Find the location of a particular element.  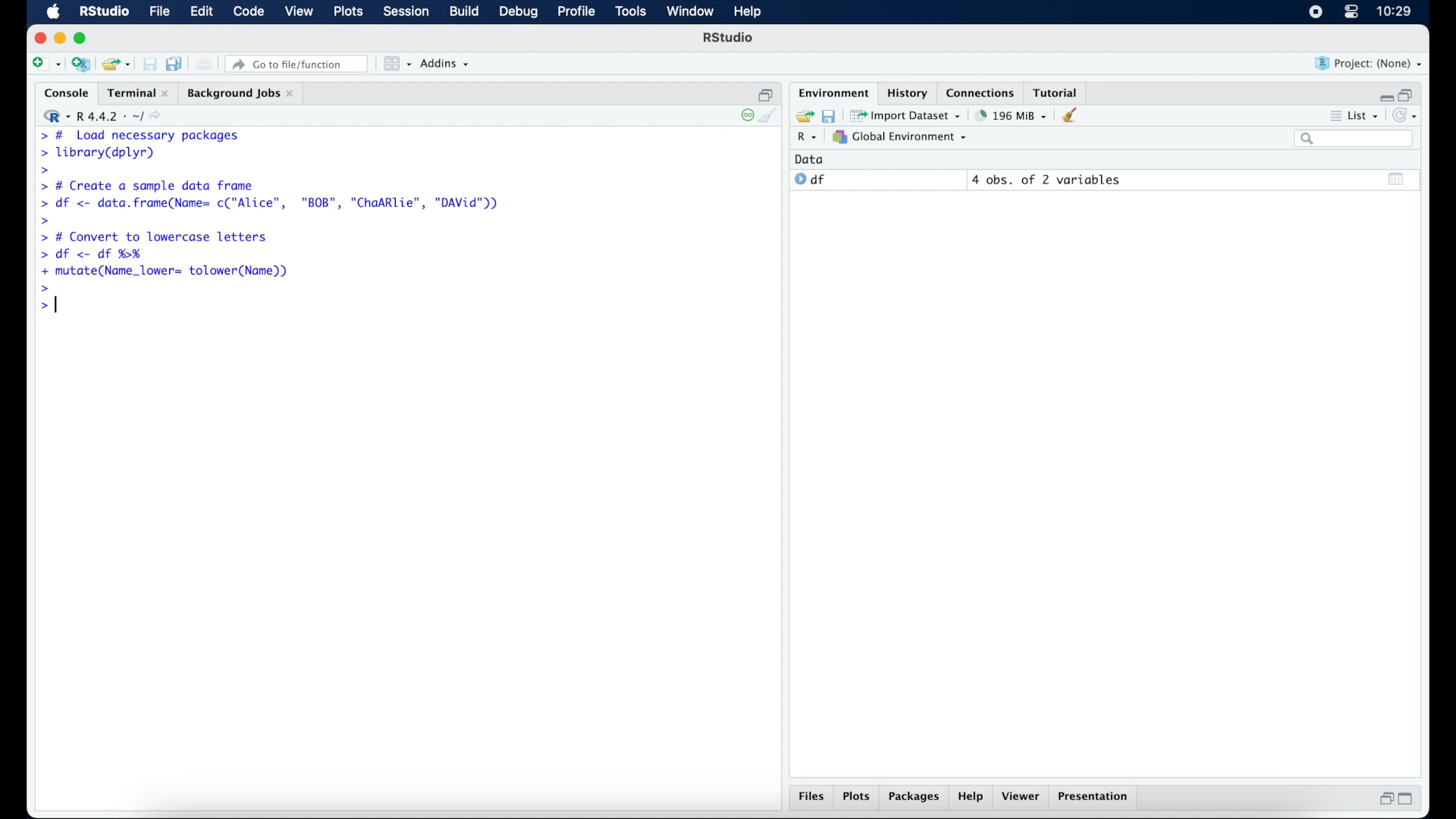

minimize is located at coordinates (60, 38).